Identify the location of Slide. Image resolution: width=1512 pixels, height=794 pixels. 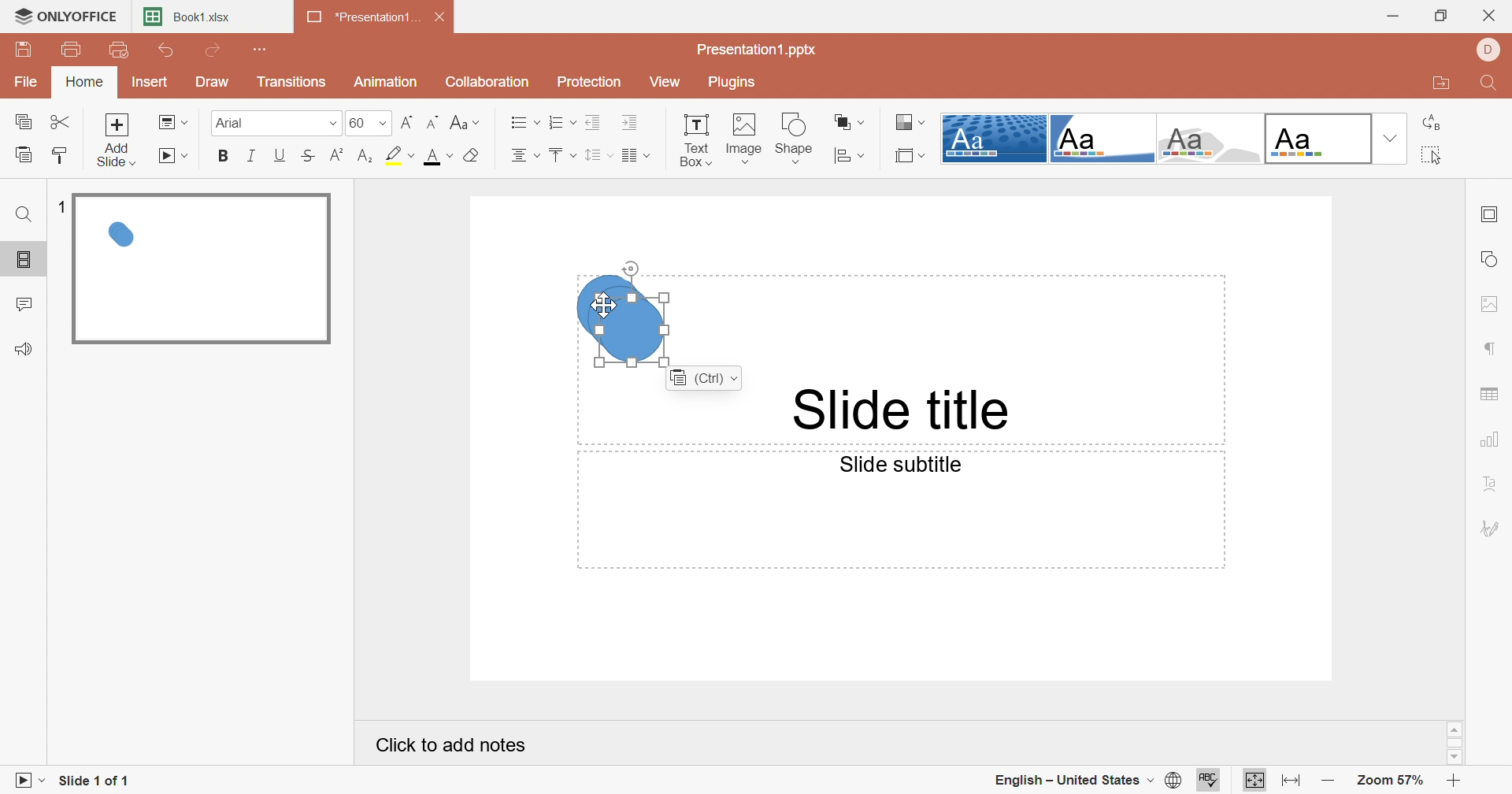
(198, 268).